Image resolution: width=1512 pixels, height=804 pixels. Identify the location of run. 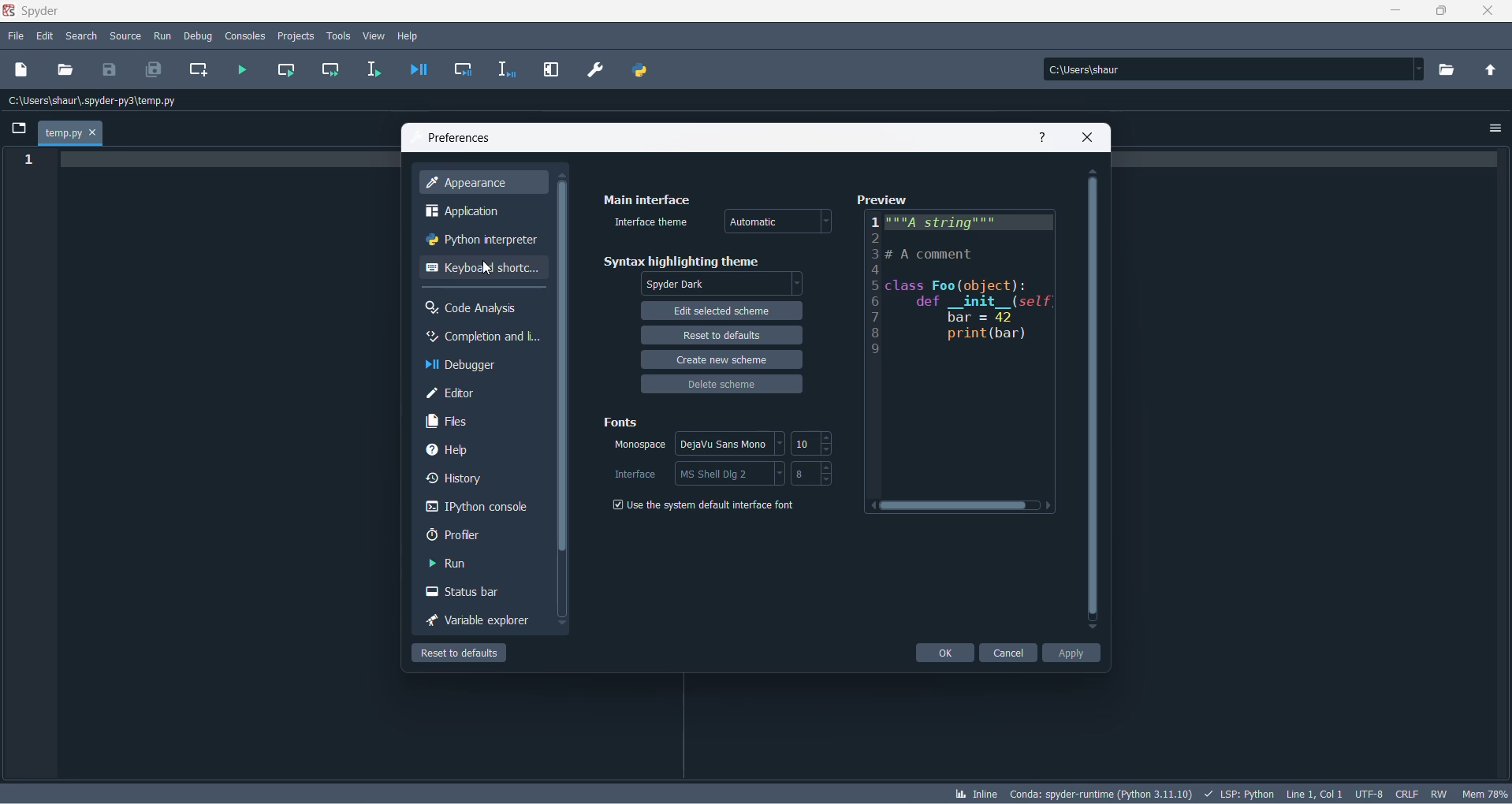
(162, 34).